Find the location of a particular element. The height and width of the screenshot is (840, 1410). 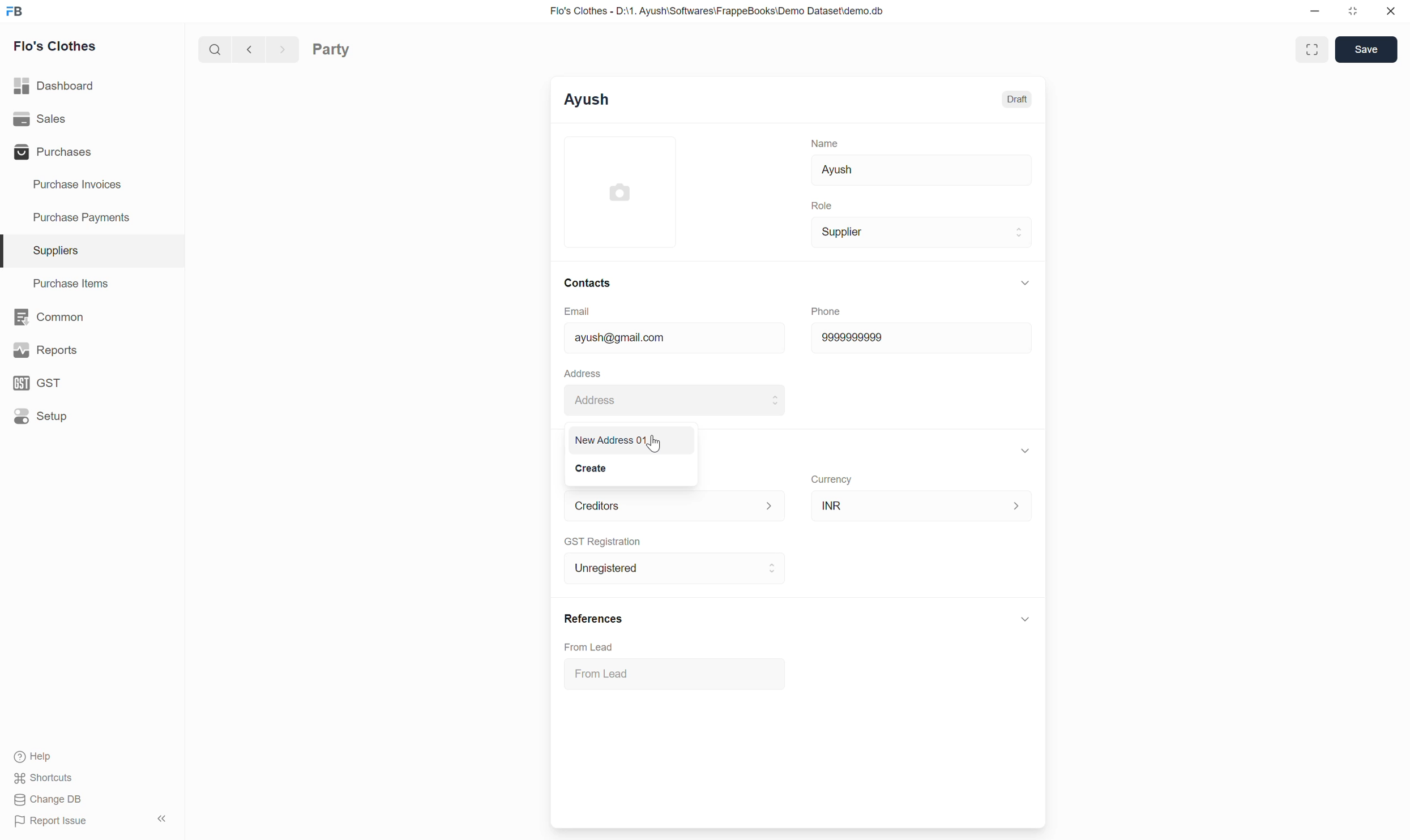

Name is located at coordinates (824, 143).